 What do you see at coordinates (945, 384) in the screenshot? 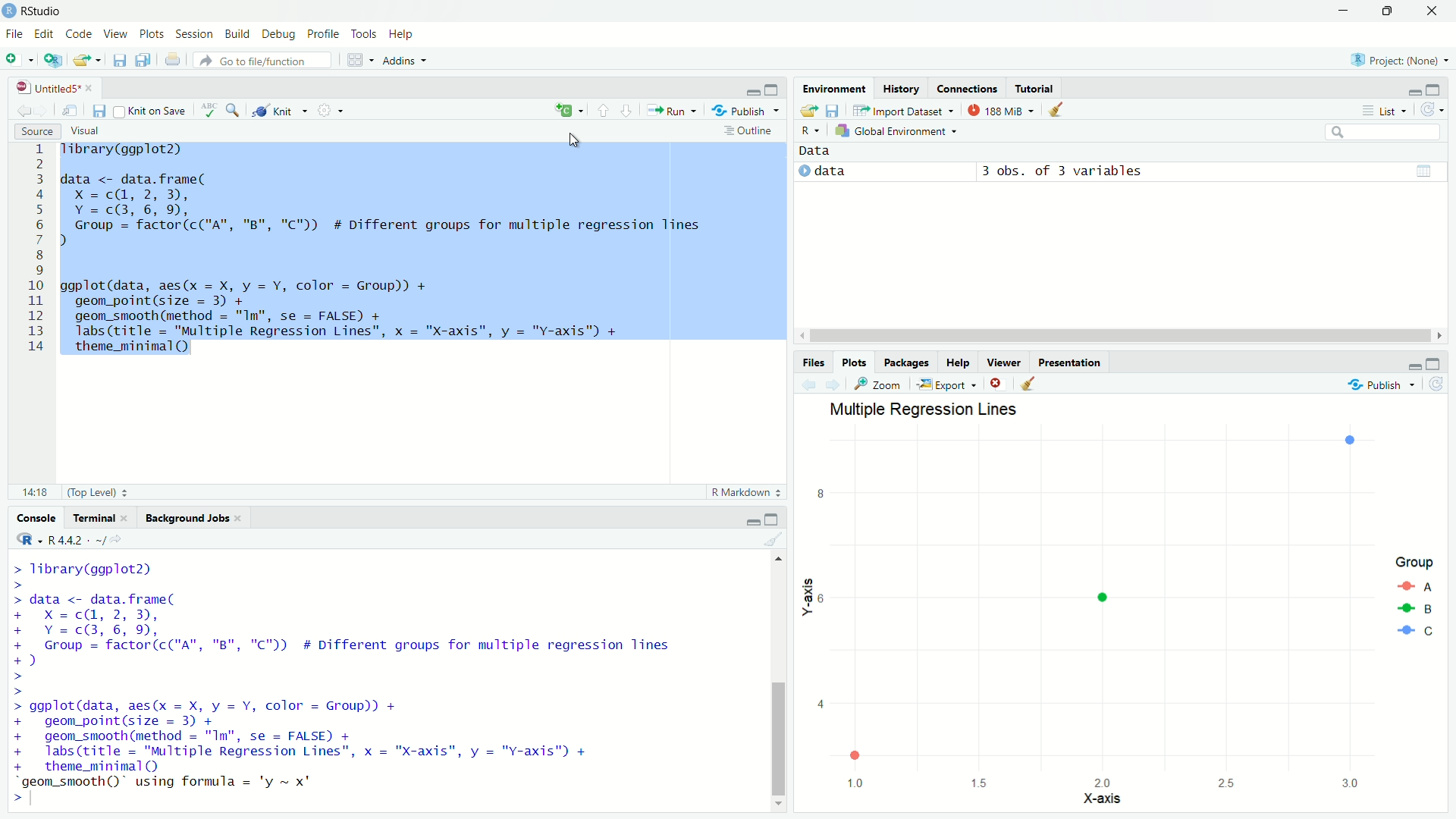
I see `Export «` at bounding box center [945, 384].